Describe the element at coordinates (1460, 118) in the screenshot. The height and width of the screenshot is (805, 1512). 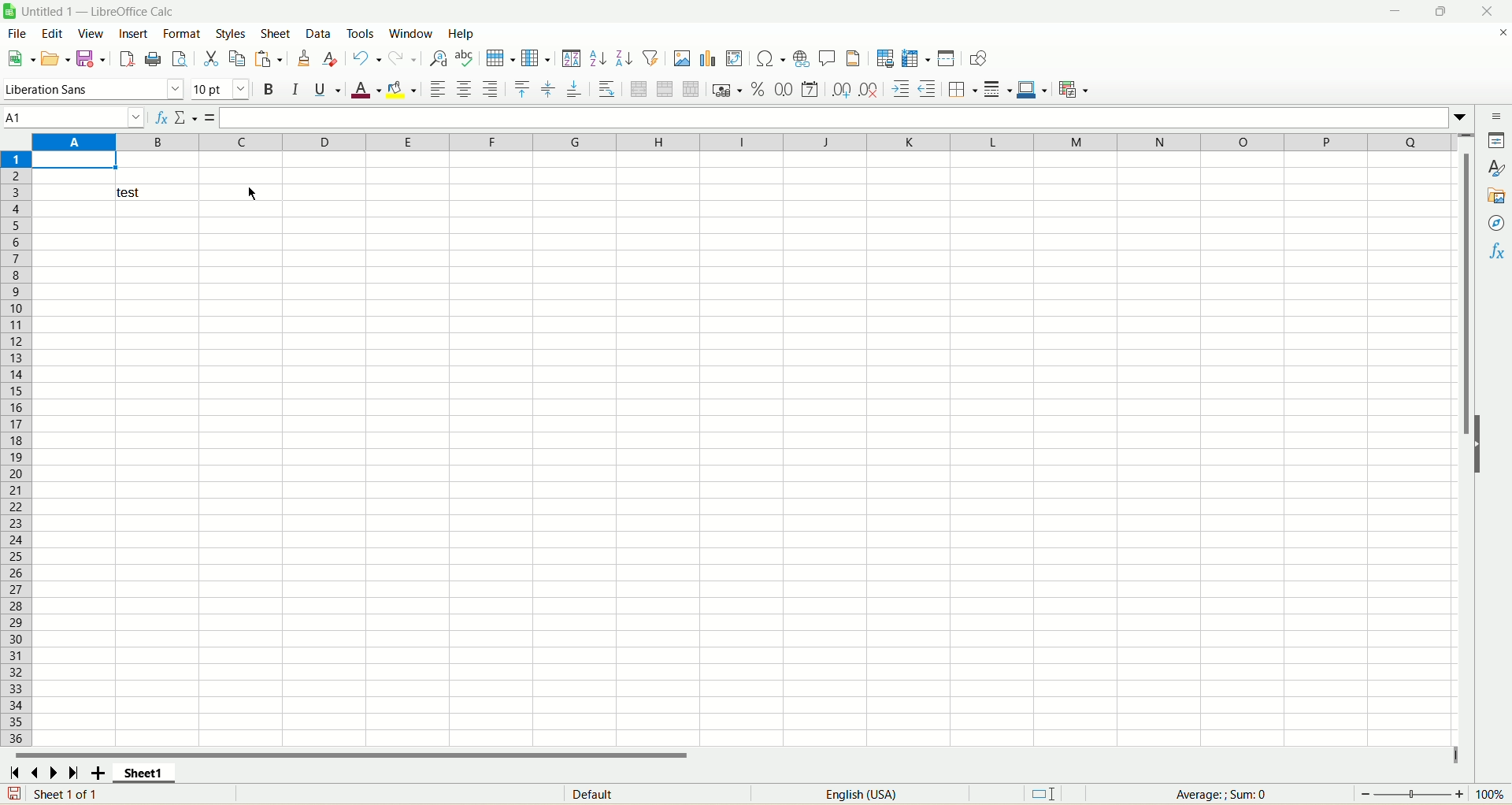
I see `More options` at that location.